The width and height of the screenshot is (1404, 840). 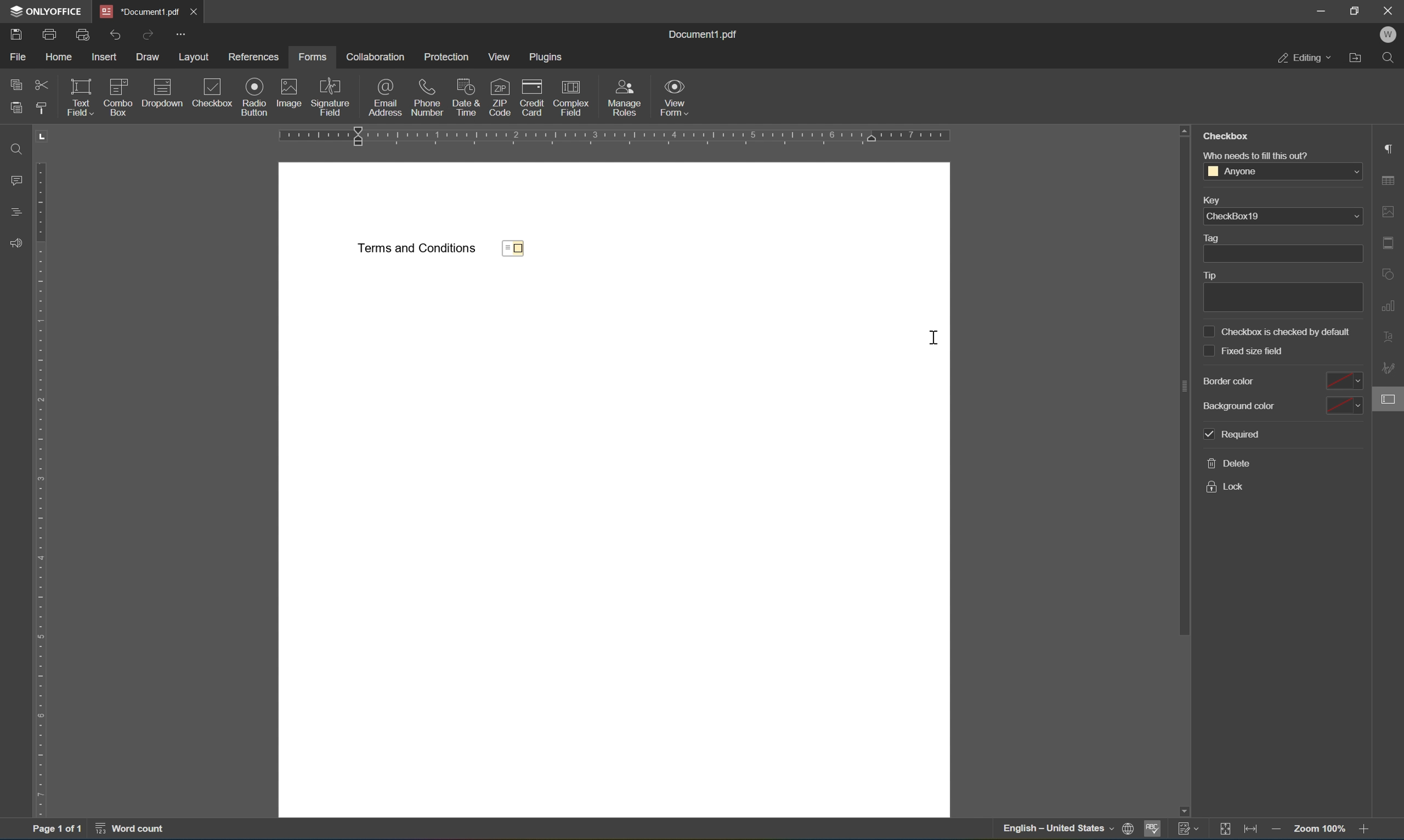 I want to click on zoom 100%, so click(x=1321, y=830).